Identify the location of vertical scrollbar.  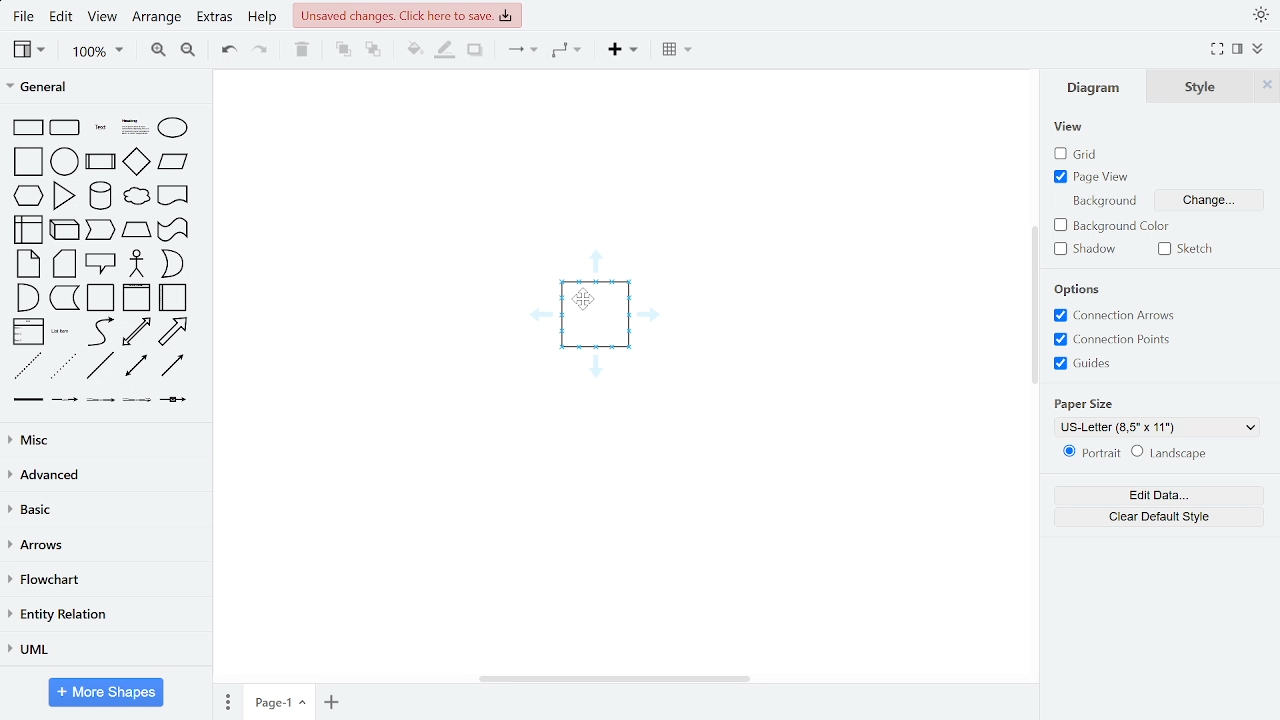
(1034, 305).